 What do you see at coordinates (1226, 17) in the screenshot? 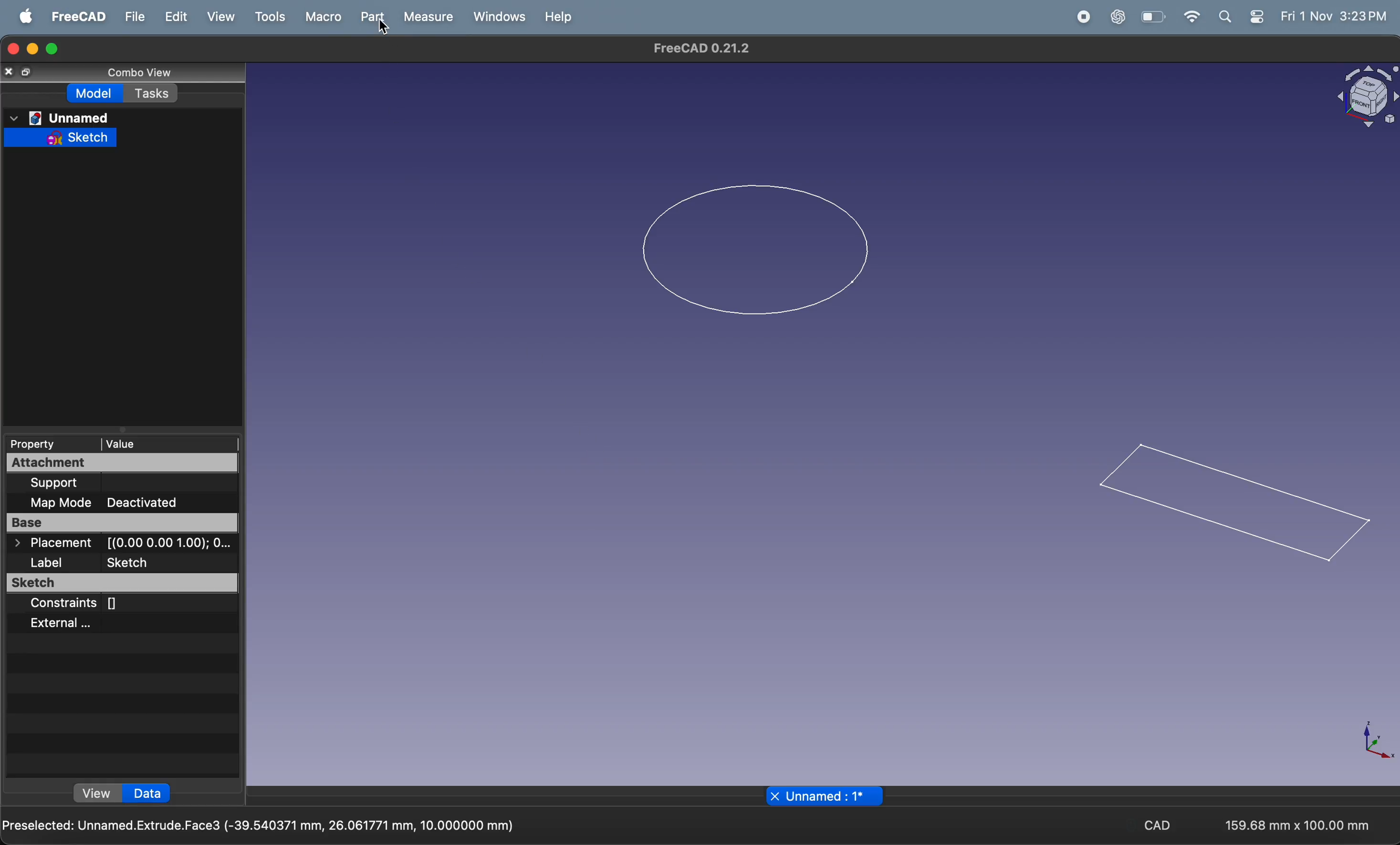
I see `search` at bounding box center [1226, 17].